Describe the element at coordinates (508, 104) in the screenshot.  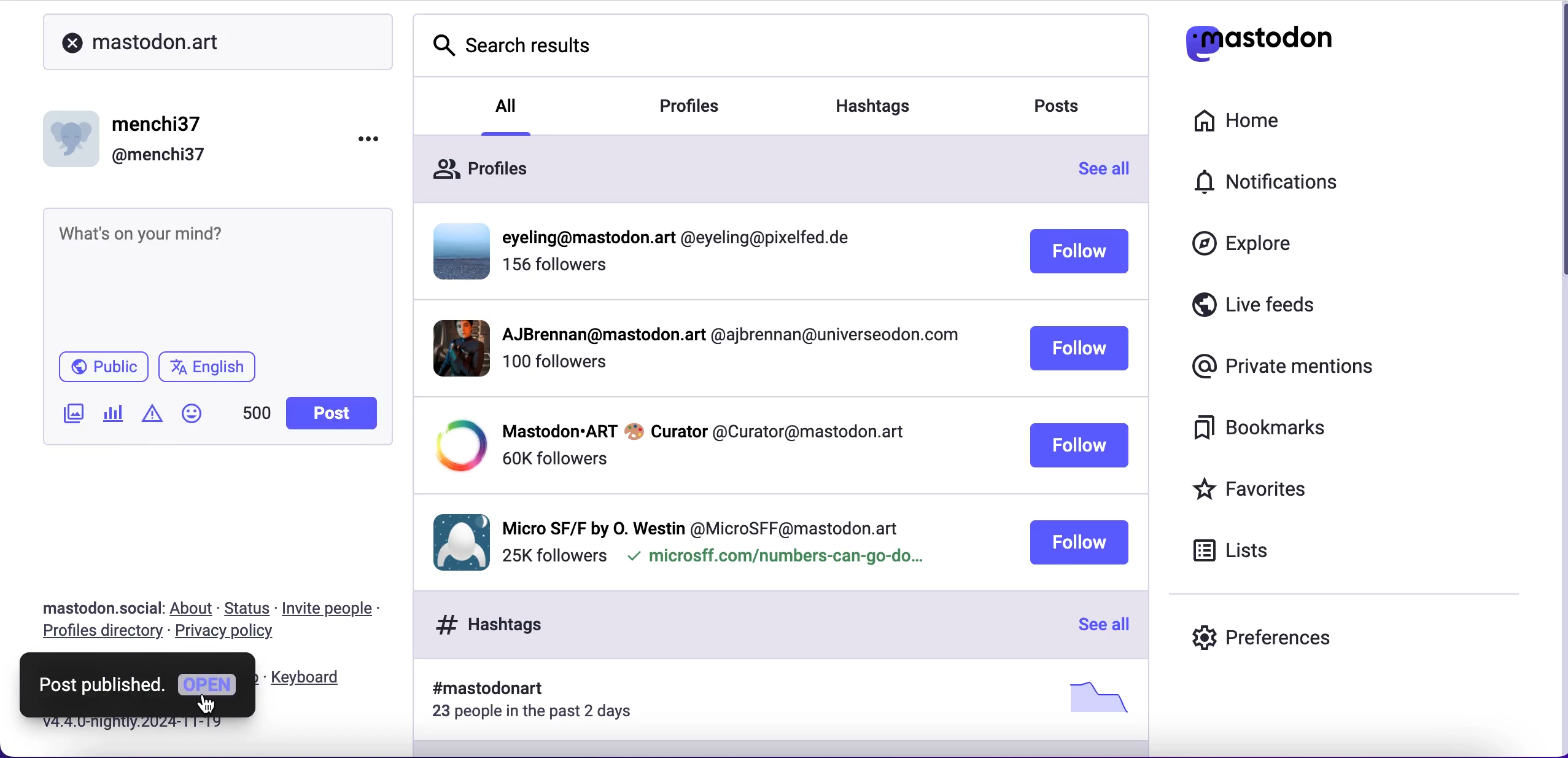
I see `all` at that location.